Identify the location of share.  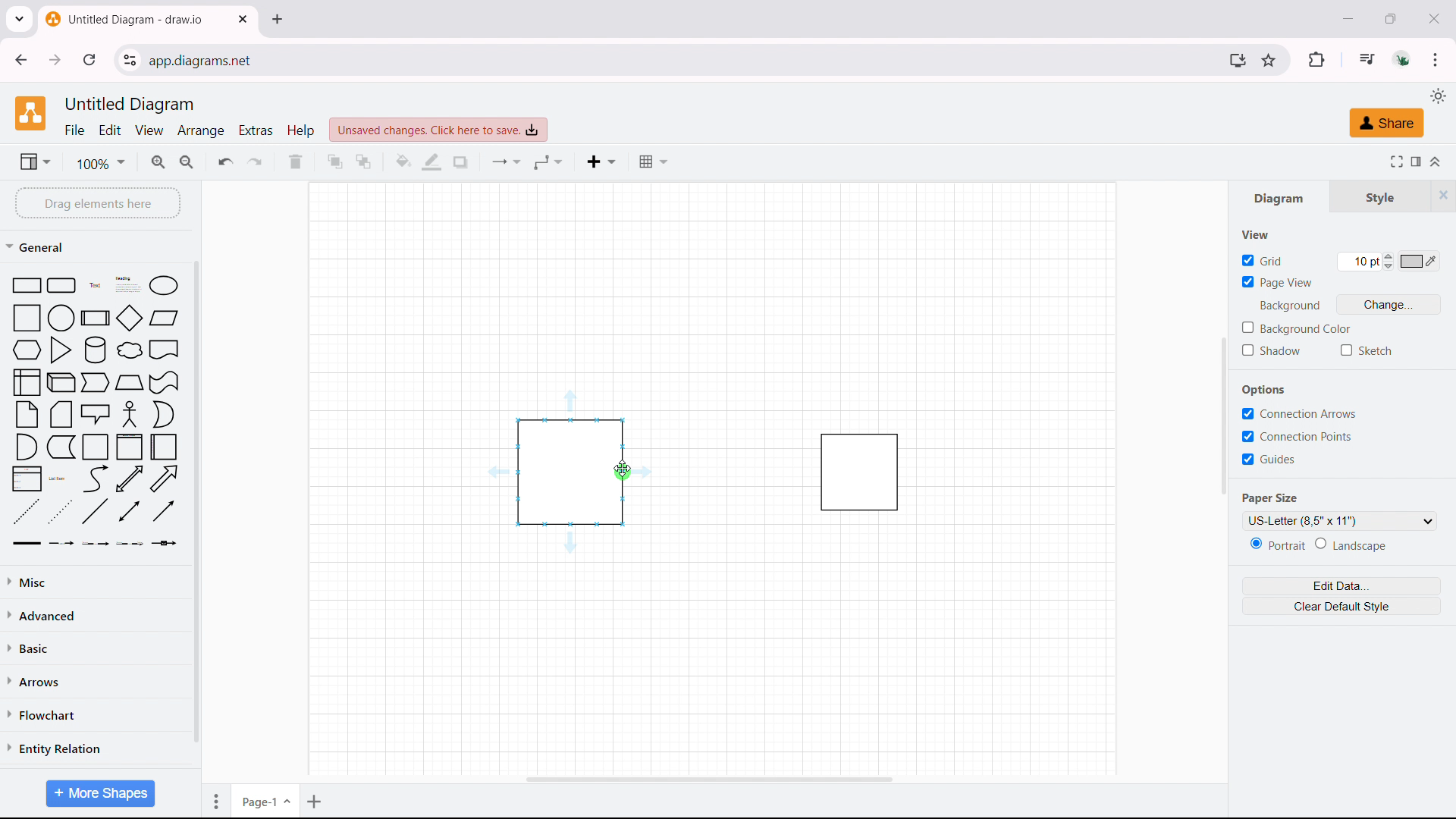
(1385, 124).